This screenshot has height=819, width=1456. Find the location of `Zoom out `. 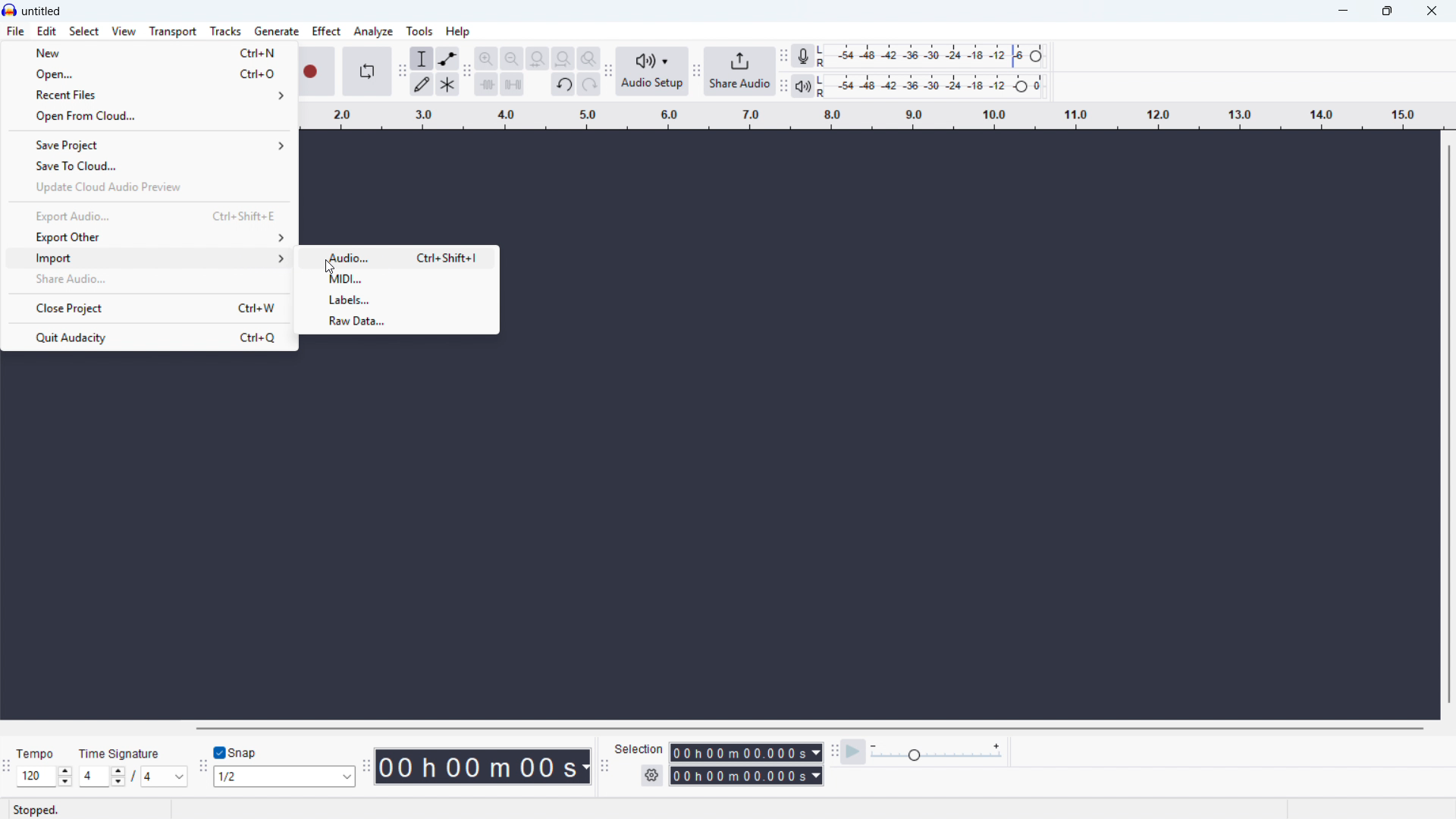

Zoom out  is located at coordinates (512, 58).